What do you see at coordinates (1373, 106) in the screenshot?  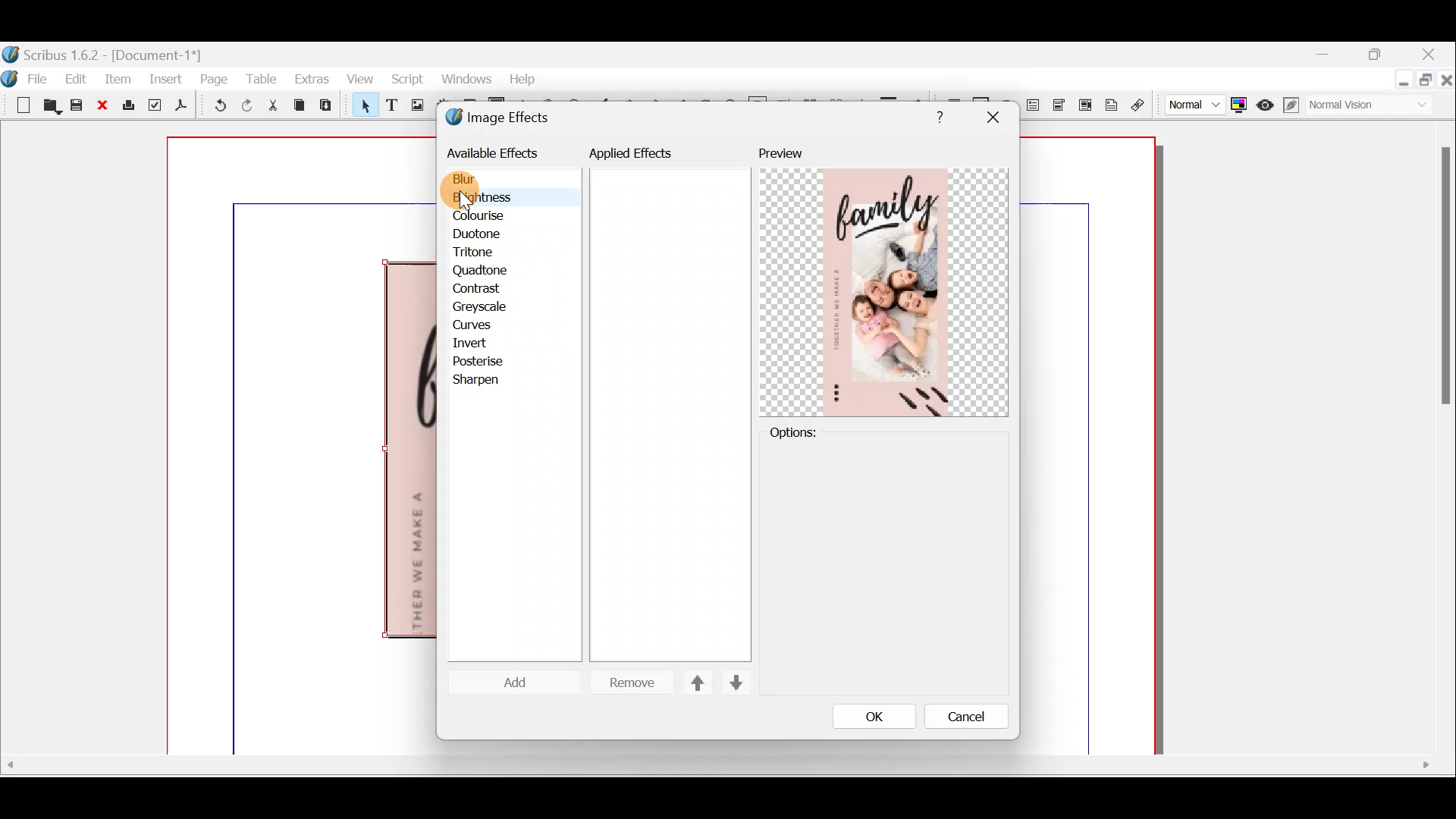 I see `Visual appearance of display` at bounding box center [1373, 106].